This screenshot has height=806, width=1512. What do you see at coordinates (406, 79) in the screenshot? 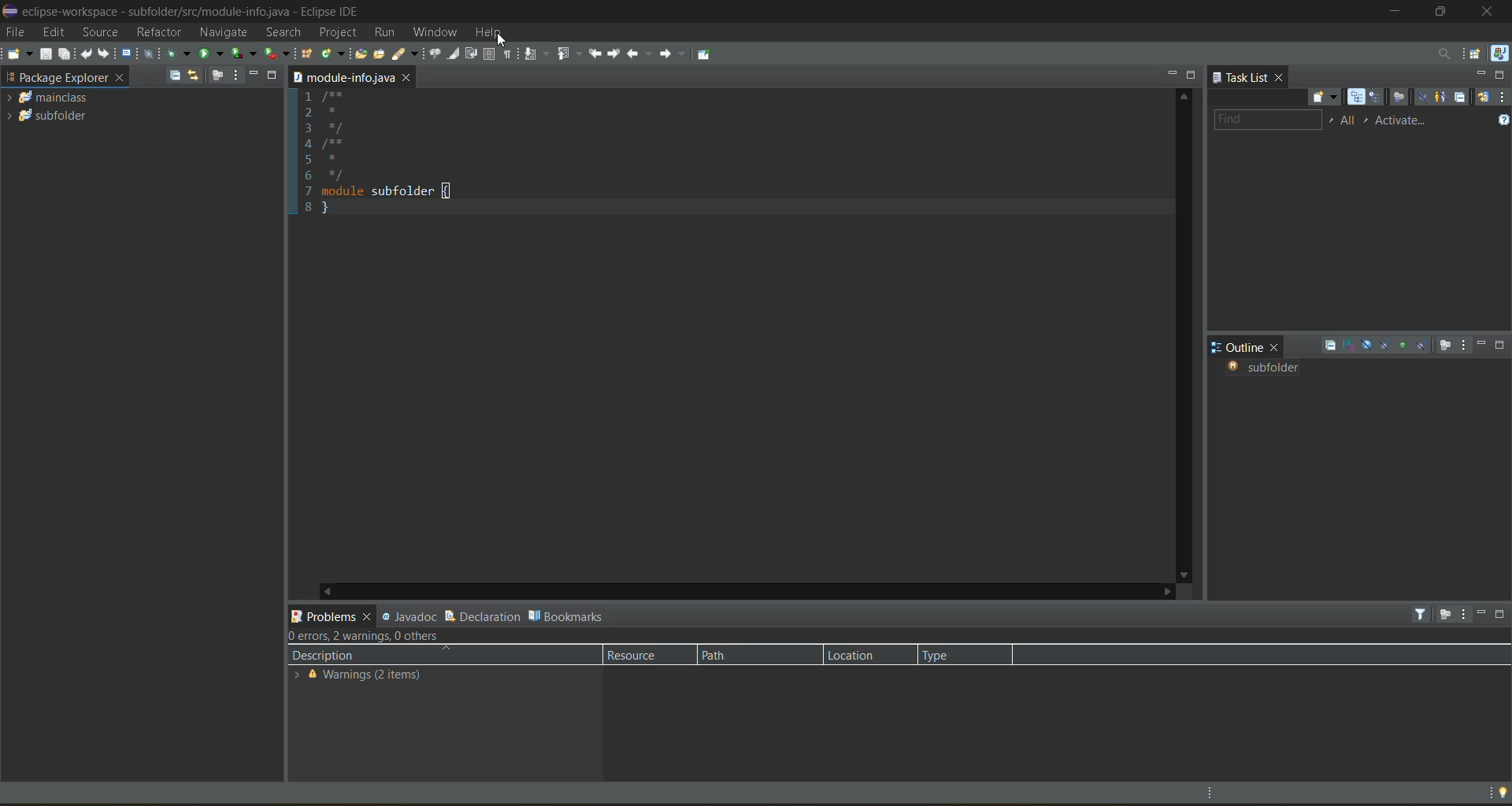
I see `close` at bounding box center [406, 79].